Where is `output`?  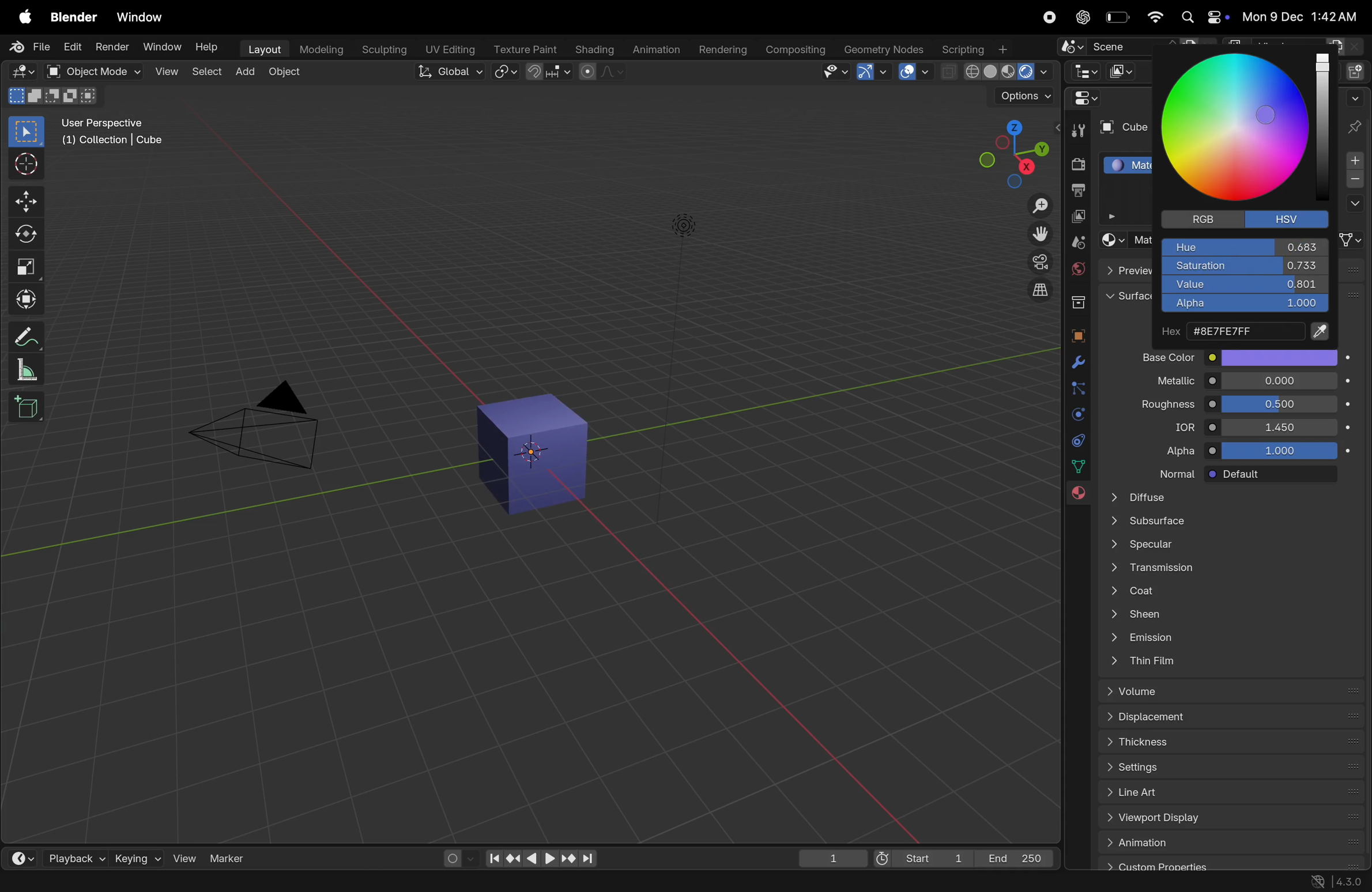 output is located at coordinates (1076, 192).